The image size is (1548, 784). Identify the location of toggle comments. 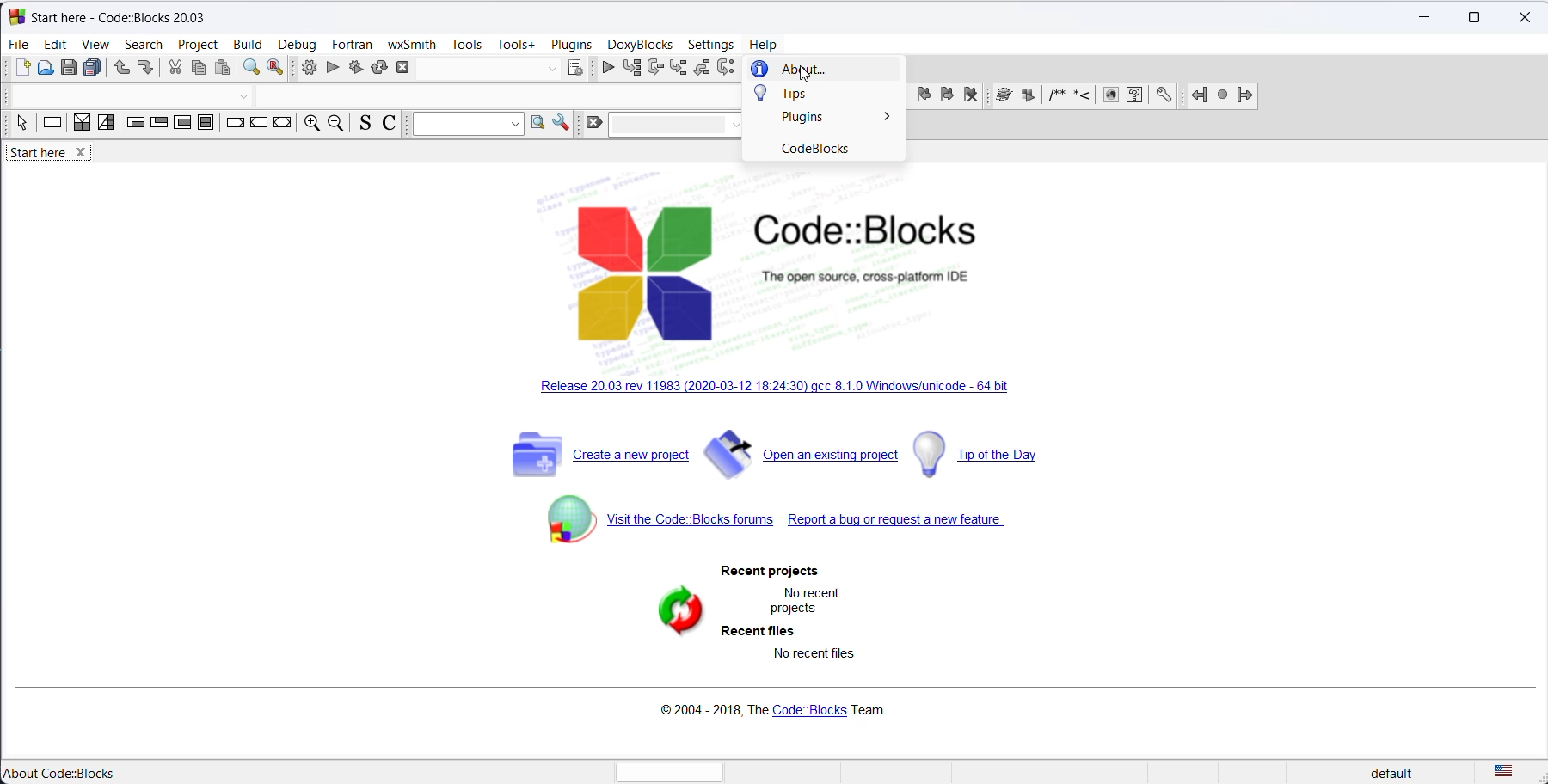
(390, 124).